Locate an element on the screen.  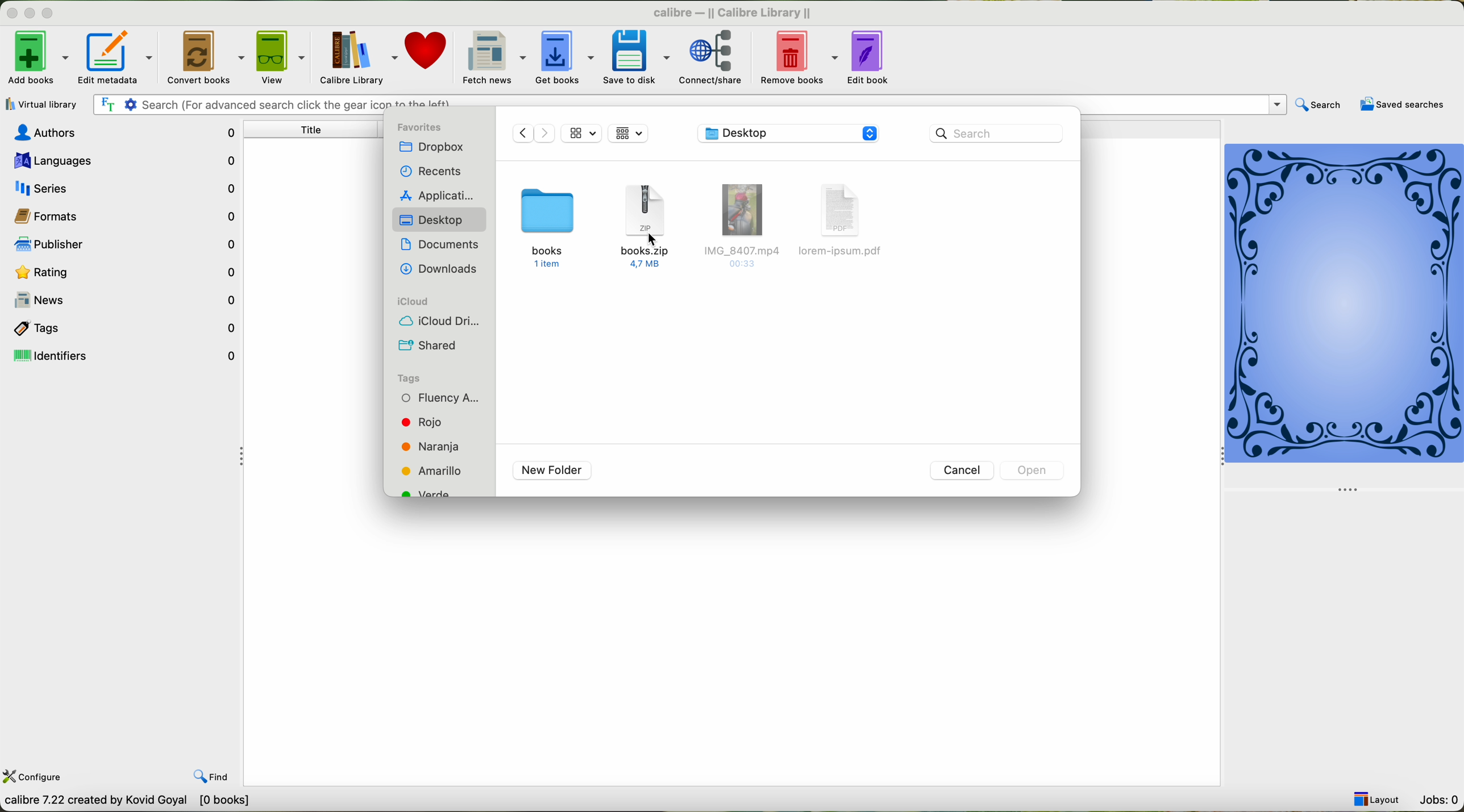
favorites is located at coordinates (423, 127).